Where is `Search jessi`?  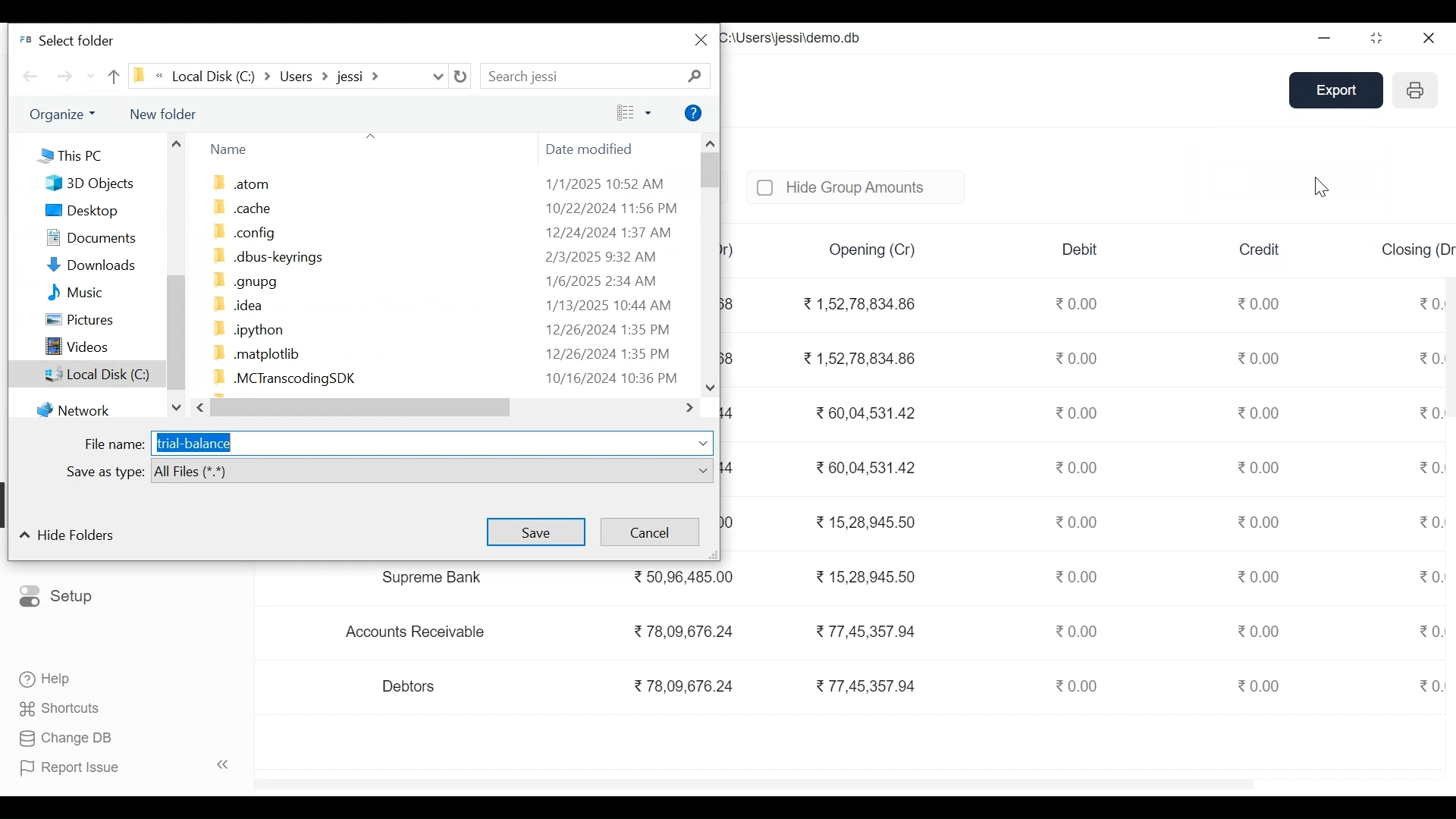
Search jessi is located at coordinates (526, 76).